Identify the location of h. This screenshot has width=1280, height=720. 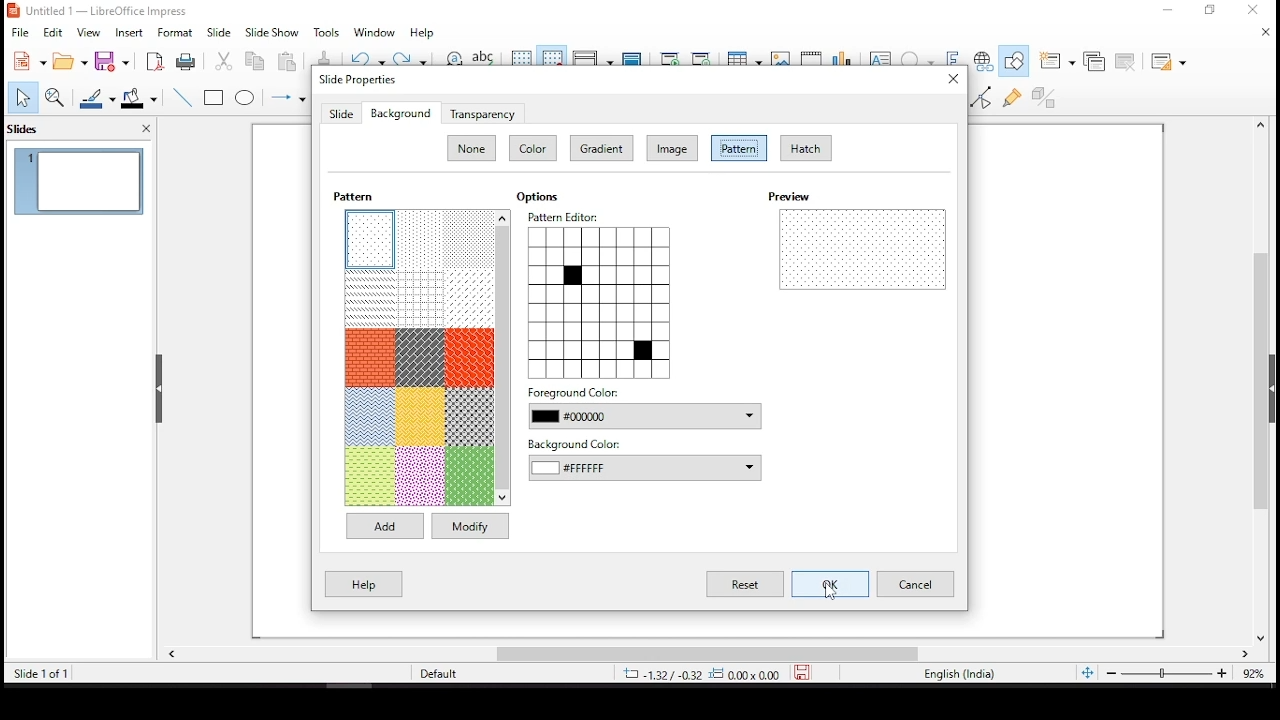
(805, 147).